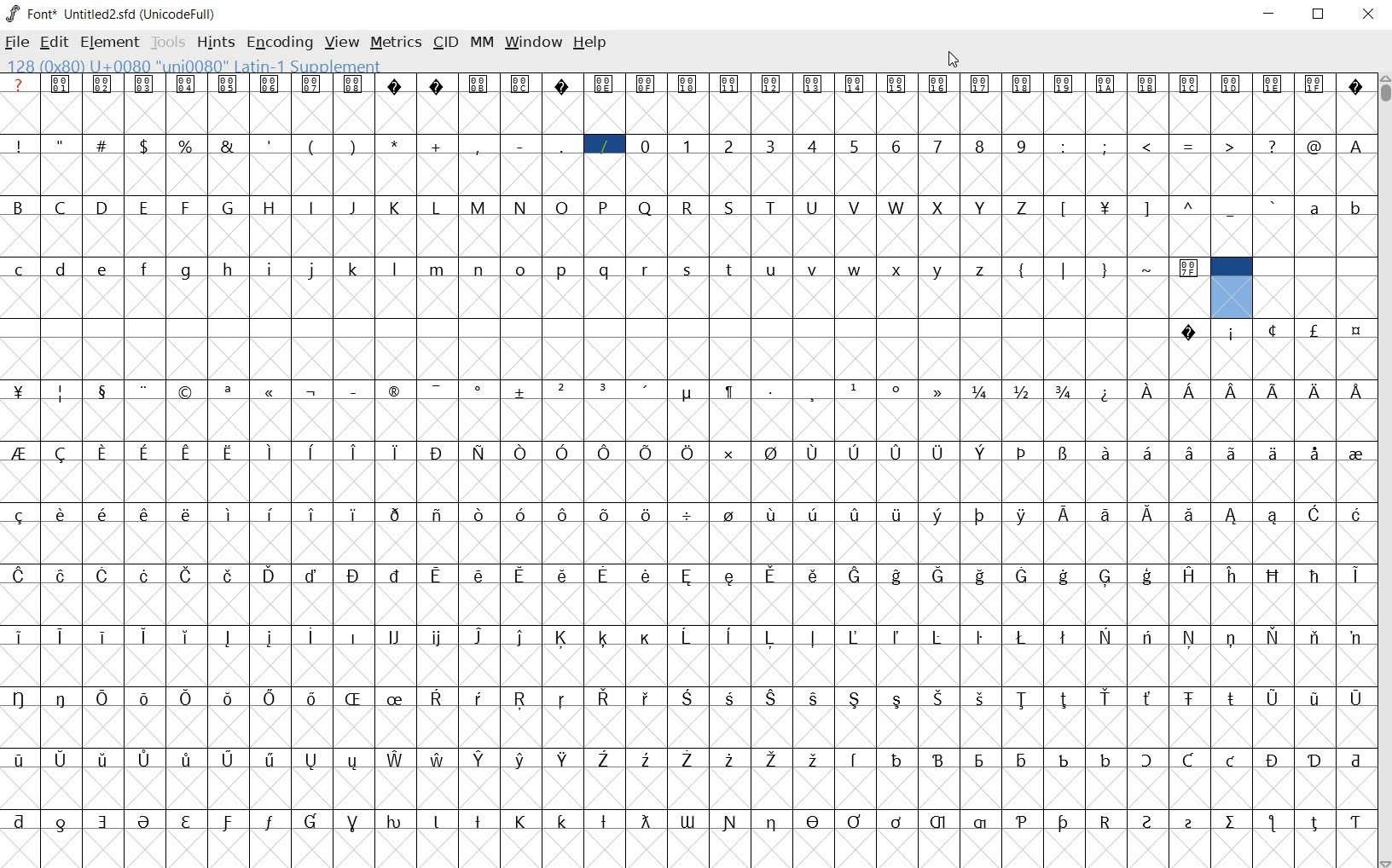 The height and width of the screenshot is (868, 1392). Describe the element at coordinates (855, 389) in the screenshot. I see `Symbol` at that location.